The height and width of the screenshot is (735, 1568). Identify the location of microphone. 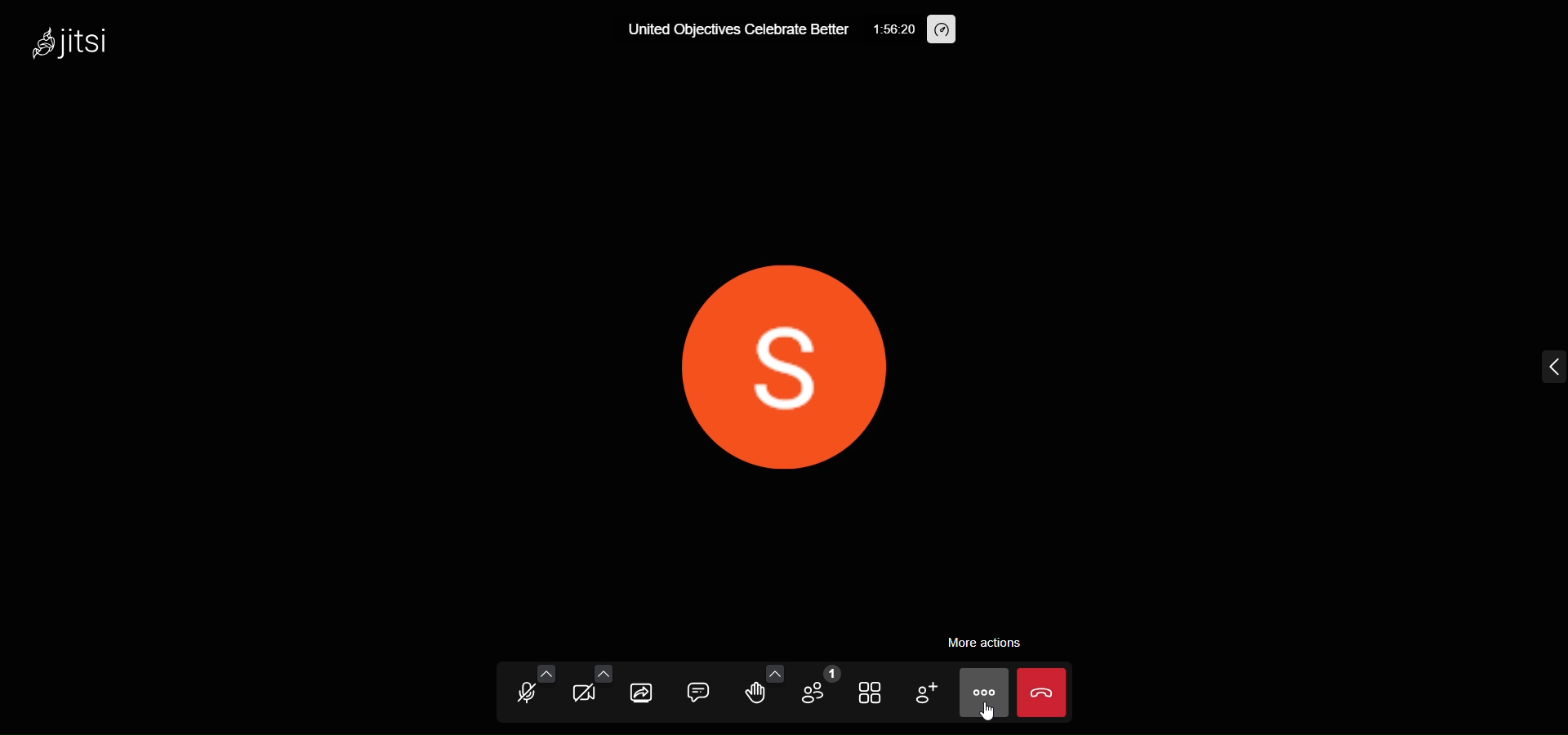
(525, 694).